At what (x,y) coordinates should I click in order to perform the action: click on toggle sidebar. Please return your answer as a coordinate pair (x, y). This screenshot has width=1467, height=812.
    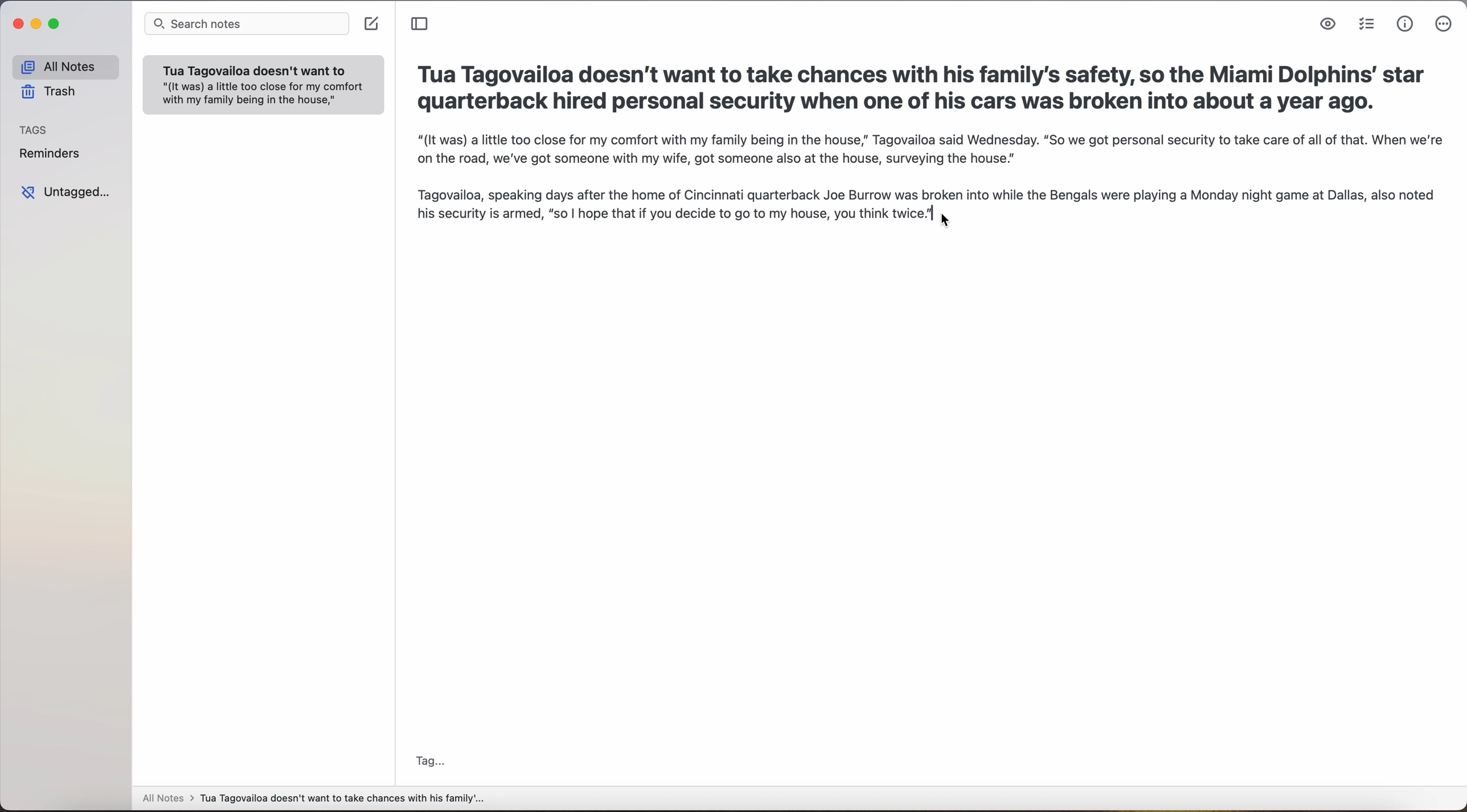
    Looking at the image, I should click on (421, 24).